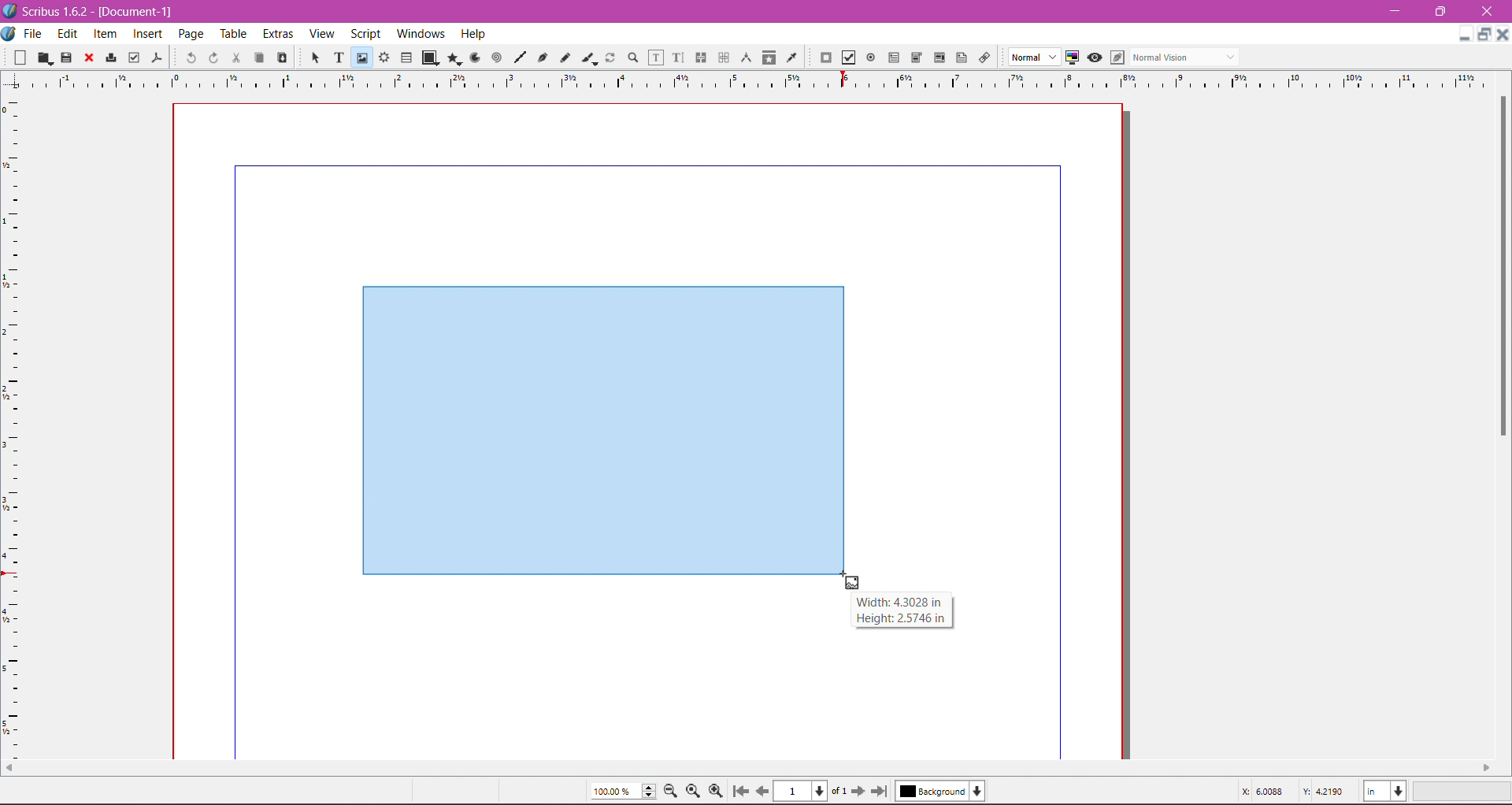  Describe the element at coordinates (757, 80) in the screenshot. I see `Horizontal Ruler` at that location.